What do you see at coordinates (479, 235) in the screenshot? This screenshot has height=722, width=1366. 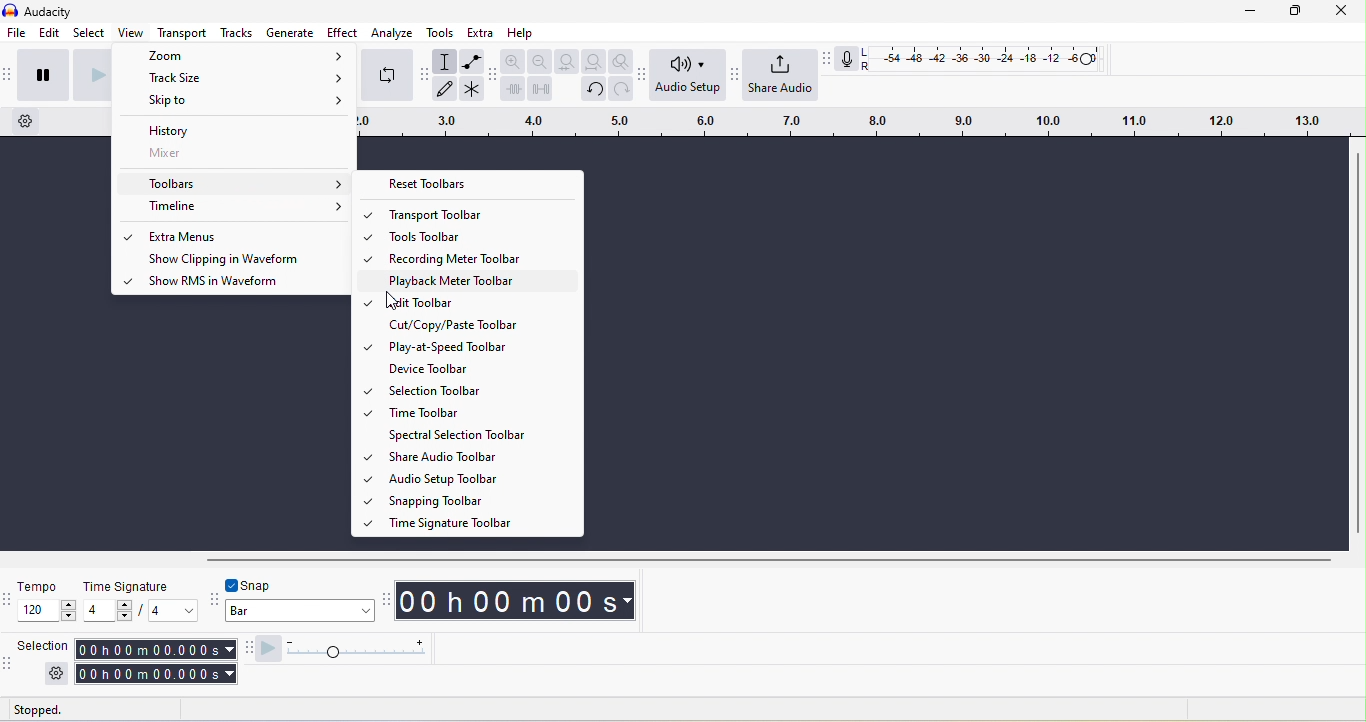 I see `Tools toolbar` at bounding box center [479, 235].